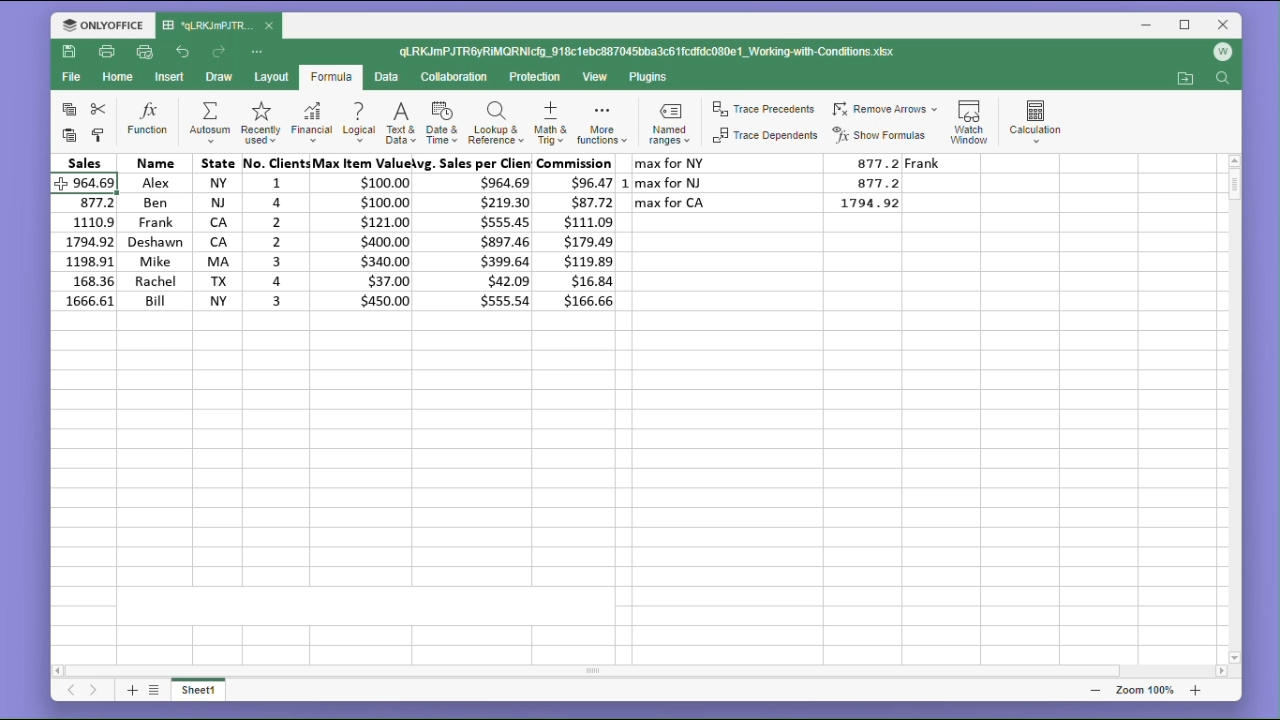  I want to click on previous sheet, so click(70, 693).